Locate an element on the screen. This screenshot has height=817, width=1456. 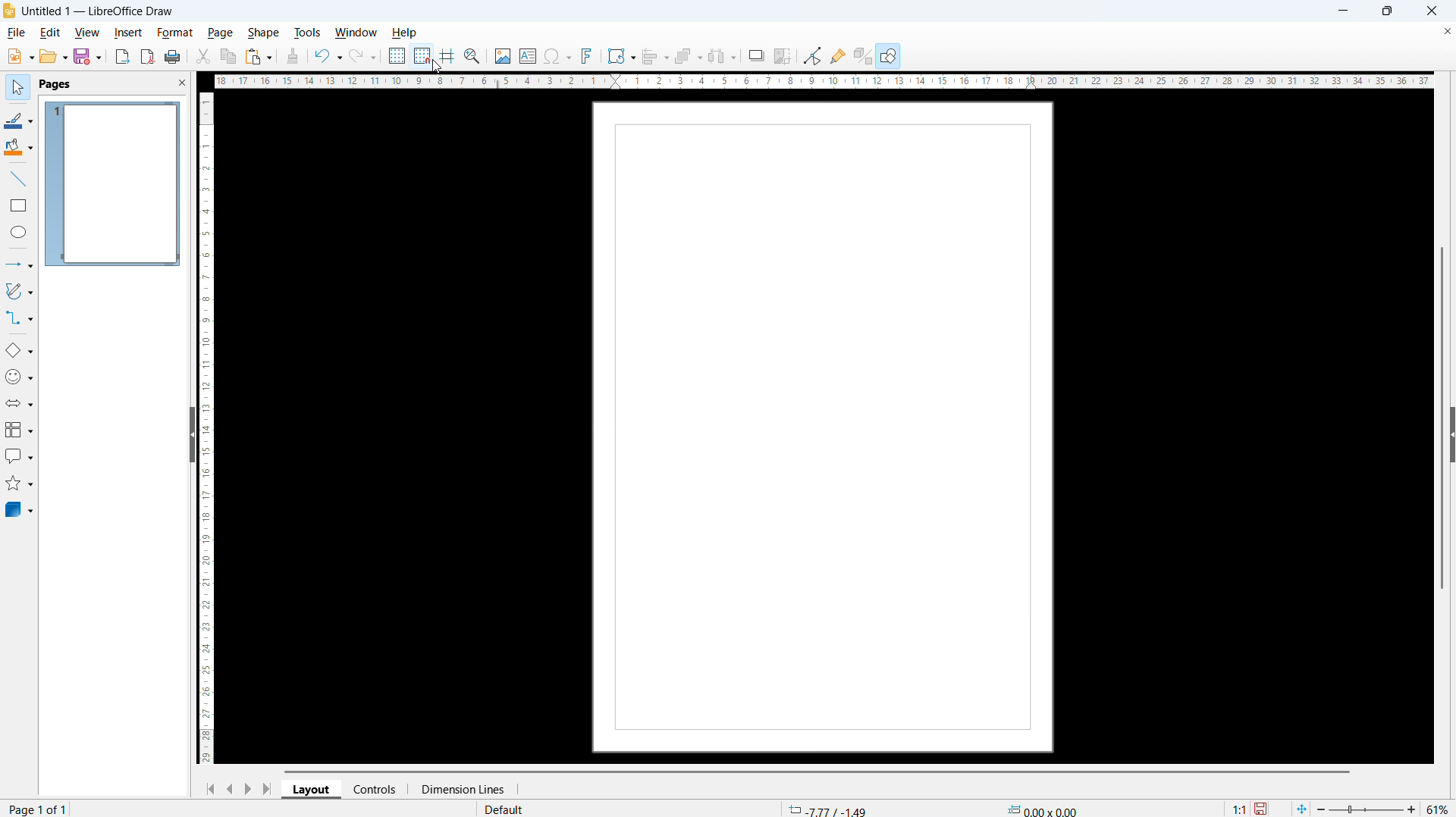
Vertical ruler  is located at coordinates (206, 429).